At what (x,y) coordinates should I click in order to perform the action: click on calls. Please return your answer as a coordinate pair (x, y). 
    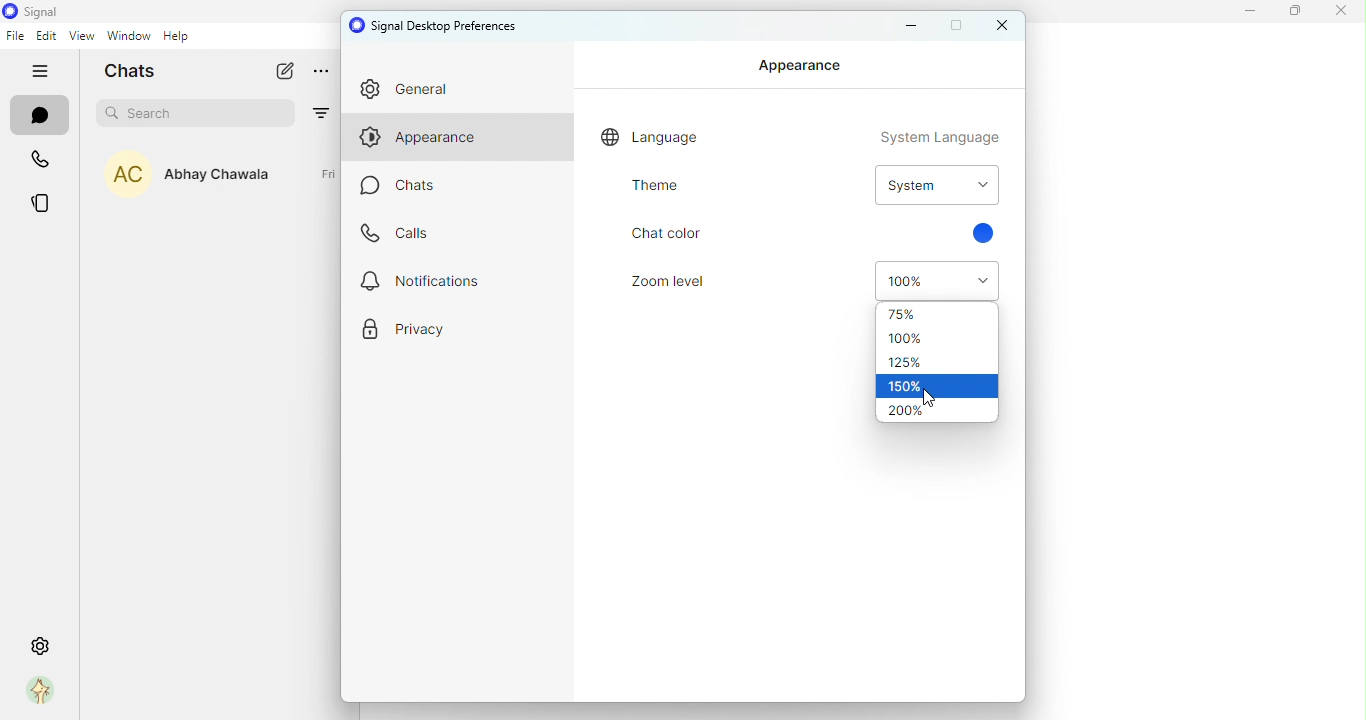
    Looking at the image, I should click on (42, 160).